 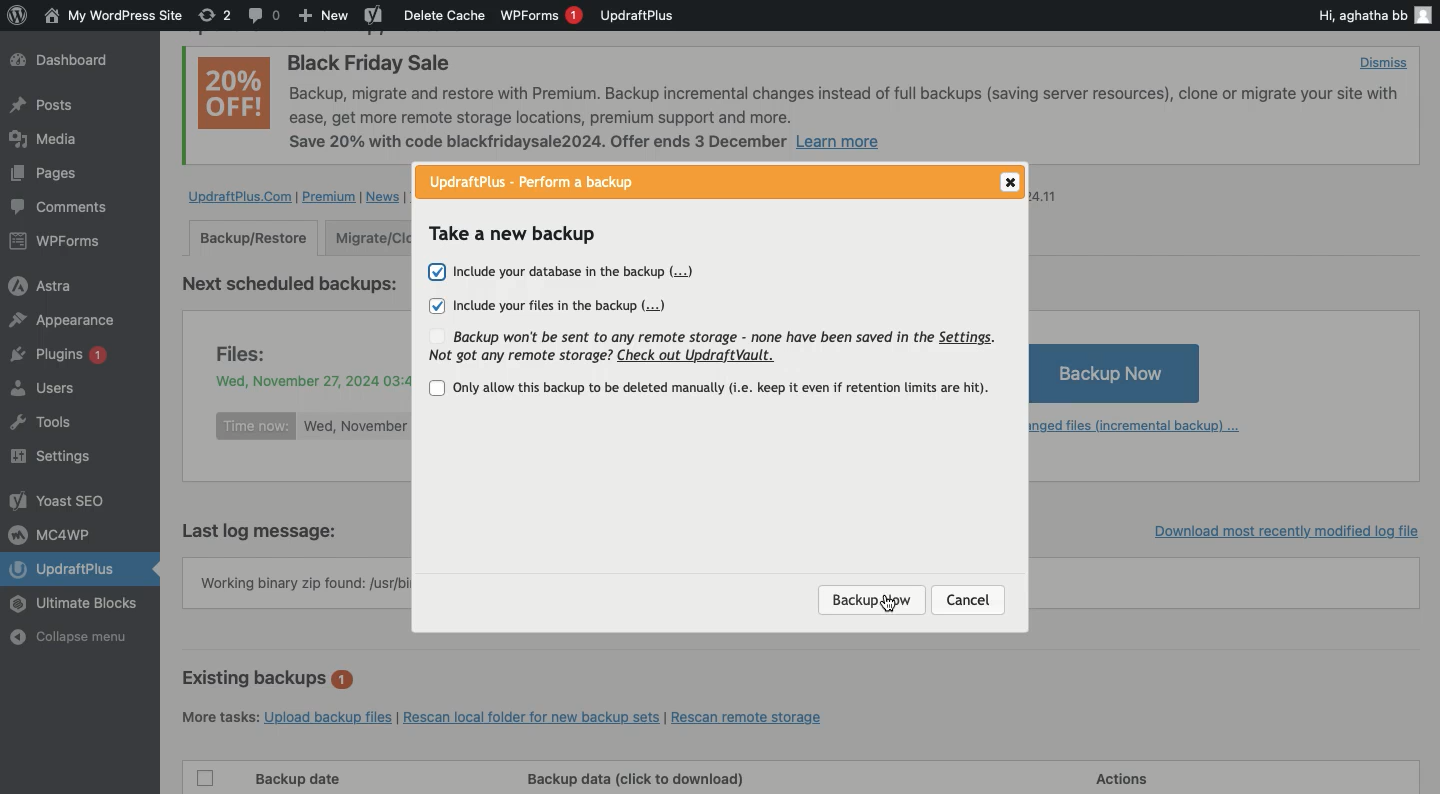 I want to click on Time now:, so click(x=257, y=426).